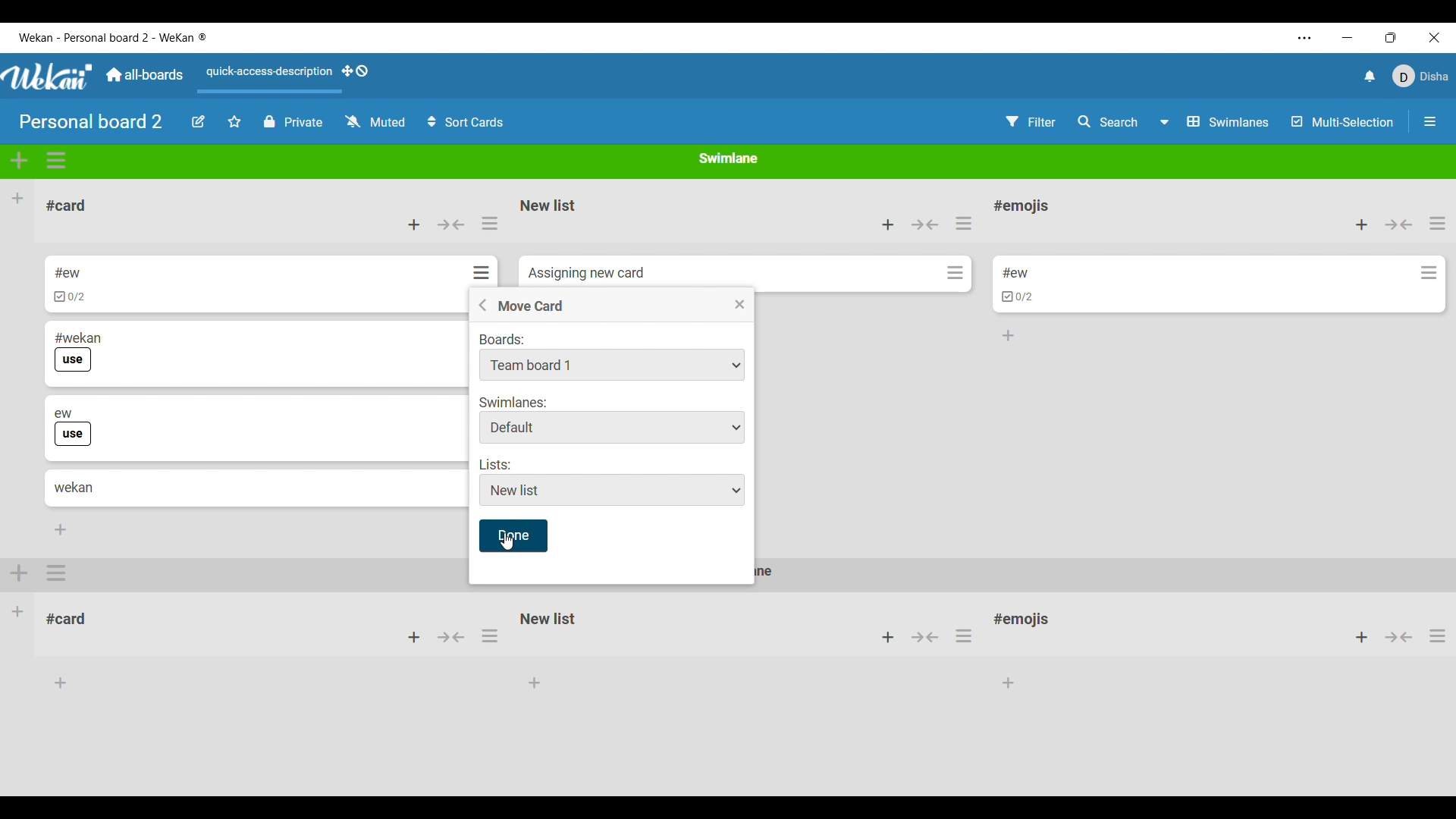 This screenshot has height=819, width=1456. What do you see at coordinates (490, 223) in the screenshot?
I see `List actions` at bounding box center [490, 223].